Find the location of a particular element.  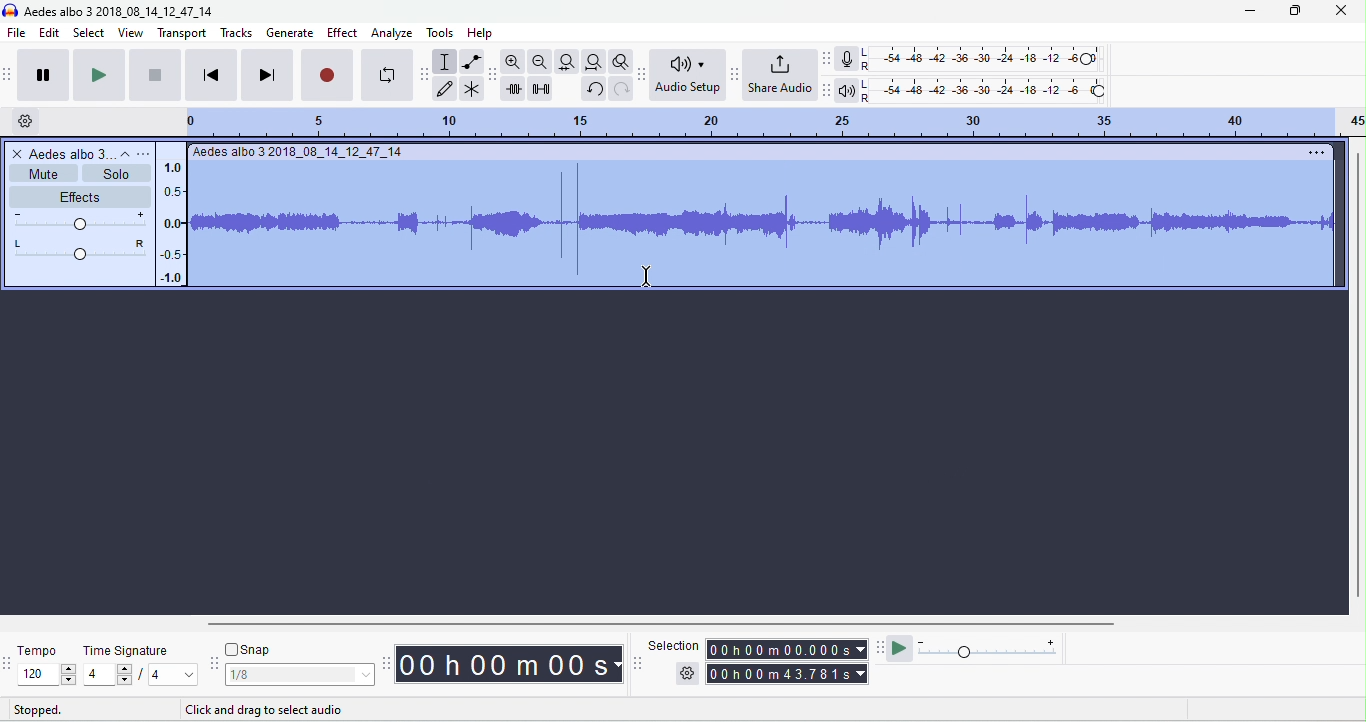

selection tool is located at coordinates (443, 62).